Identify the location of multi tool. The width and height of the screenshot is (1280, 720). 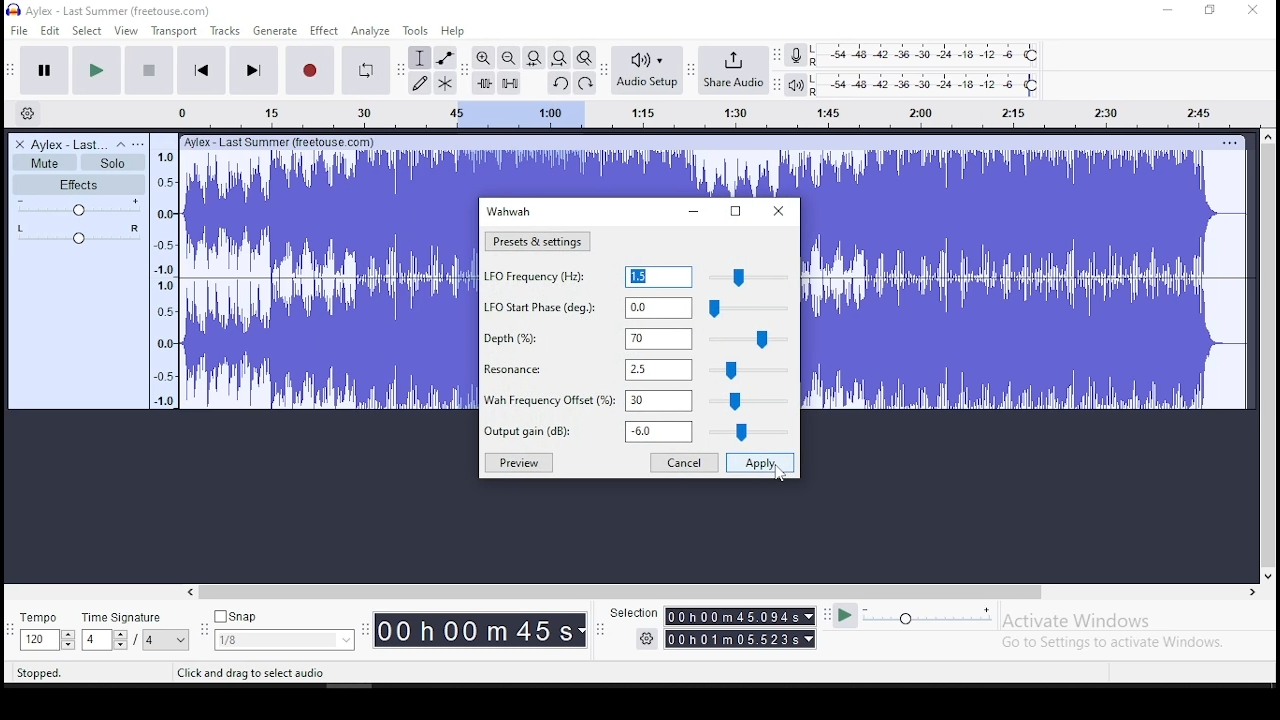
(444, 85).